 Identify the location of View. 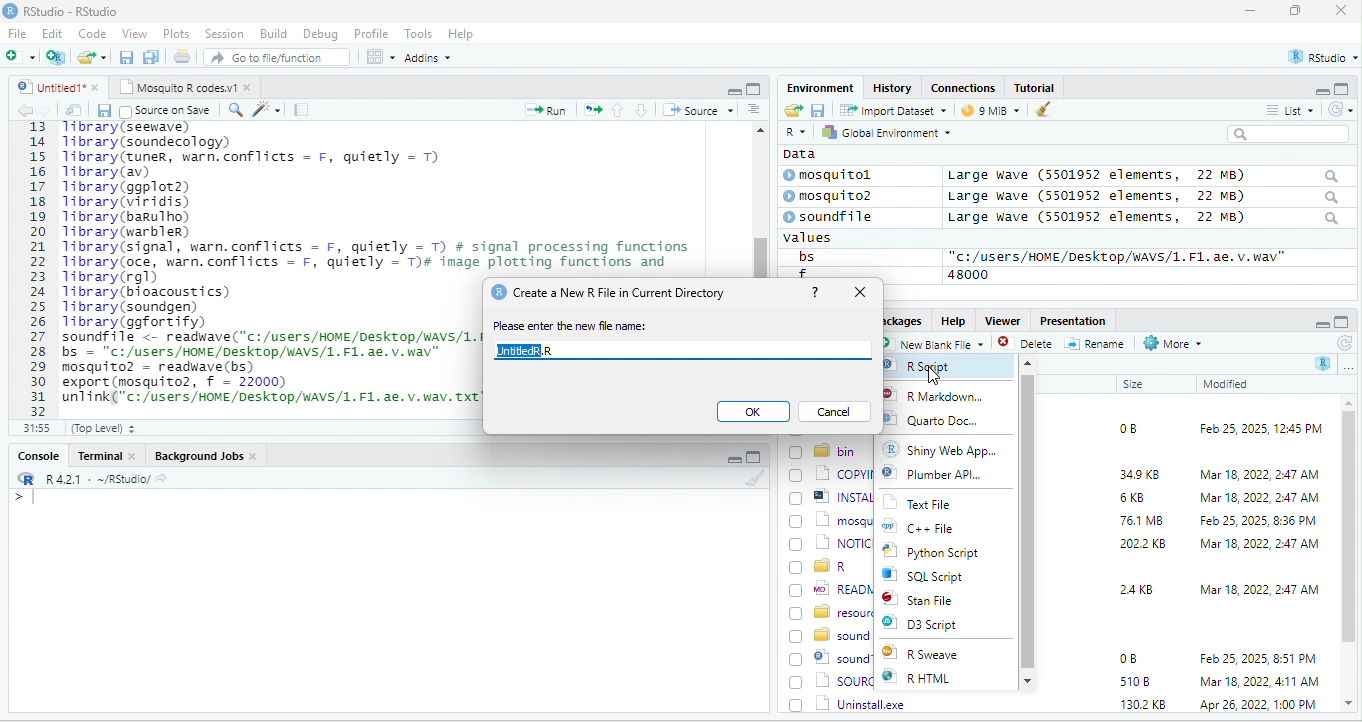
(133, 35).